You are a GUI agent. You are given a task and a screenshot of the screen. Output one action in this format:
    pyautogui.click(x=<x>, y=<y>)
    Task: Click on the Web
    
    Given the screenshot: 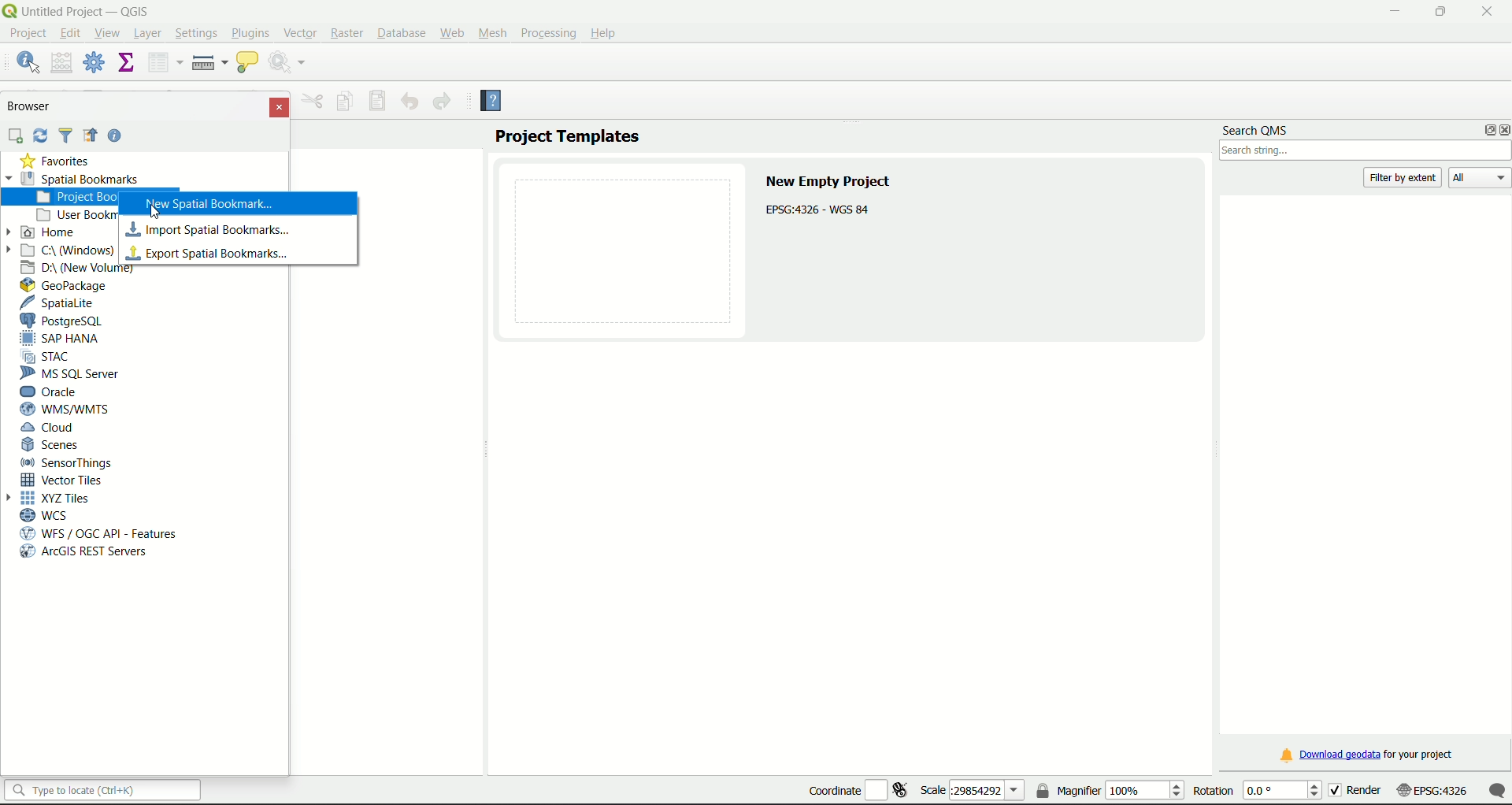 What is the action you would take?
    pyautogui.click(x=452, y=33)
    